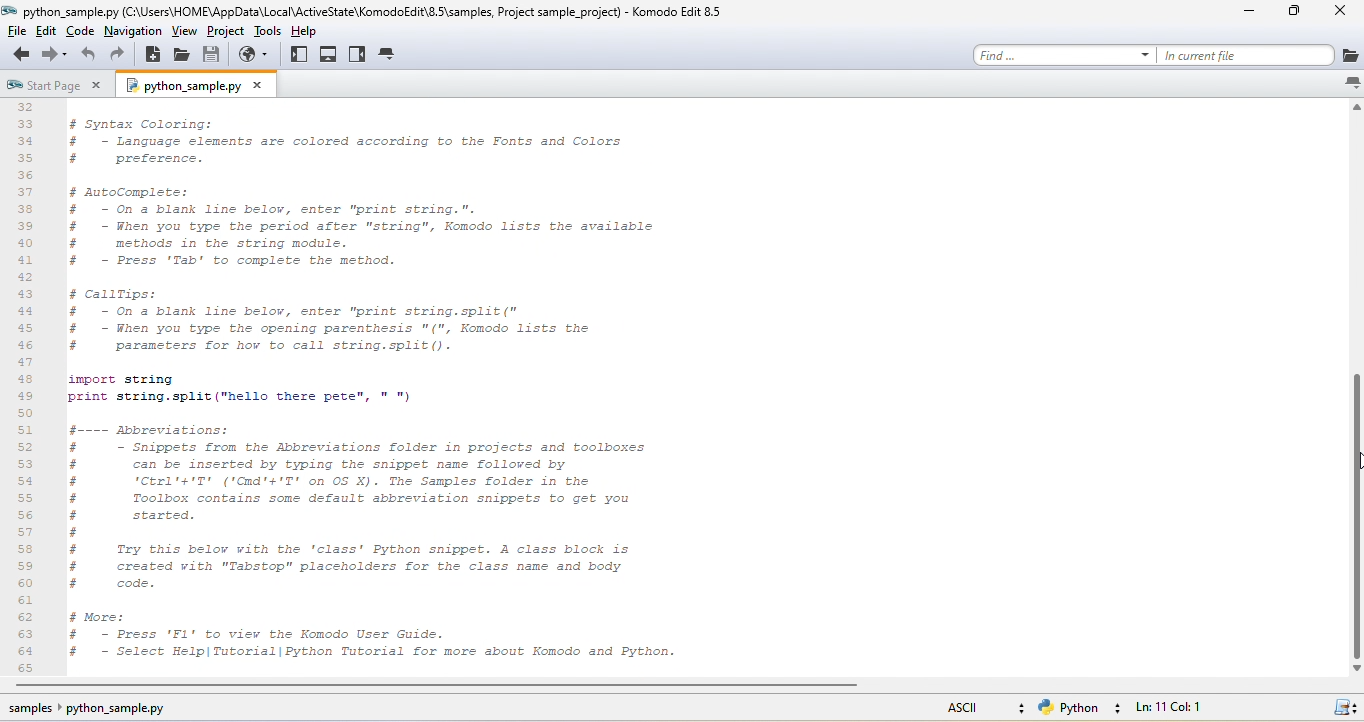 This screenshot has height=722, width=1364. Describe the element at coordinates (1355, 467) in the screenshot. I see `cursor position on mouse up` at that location.